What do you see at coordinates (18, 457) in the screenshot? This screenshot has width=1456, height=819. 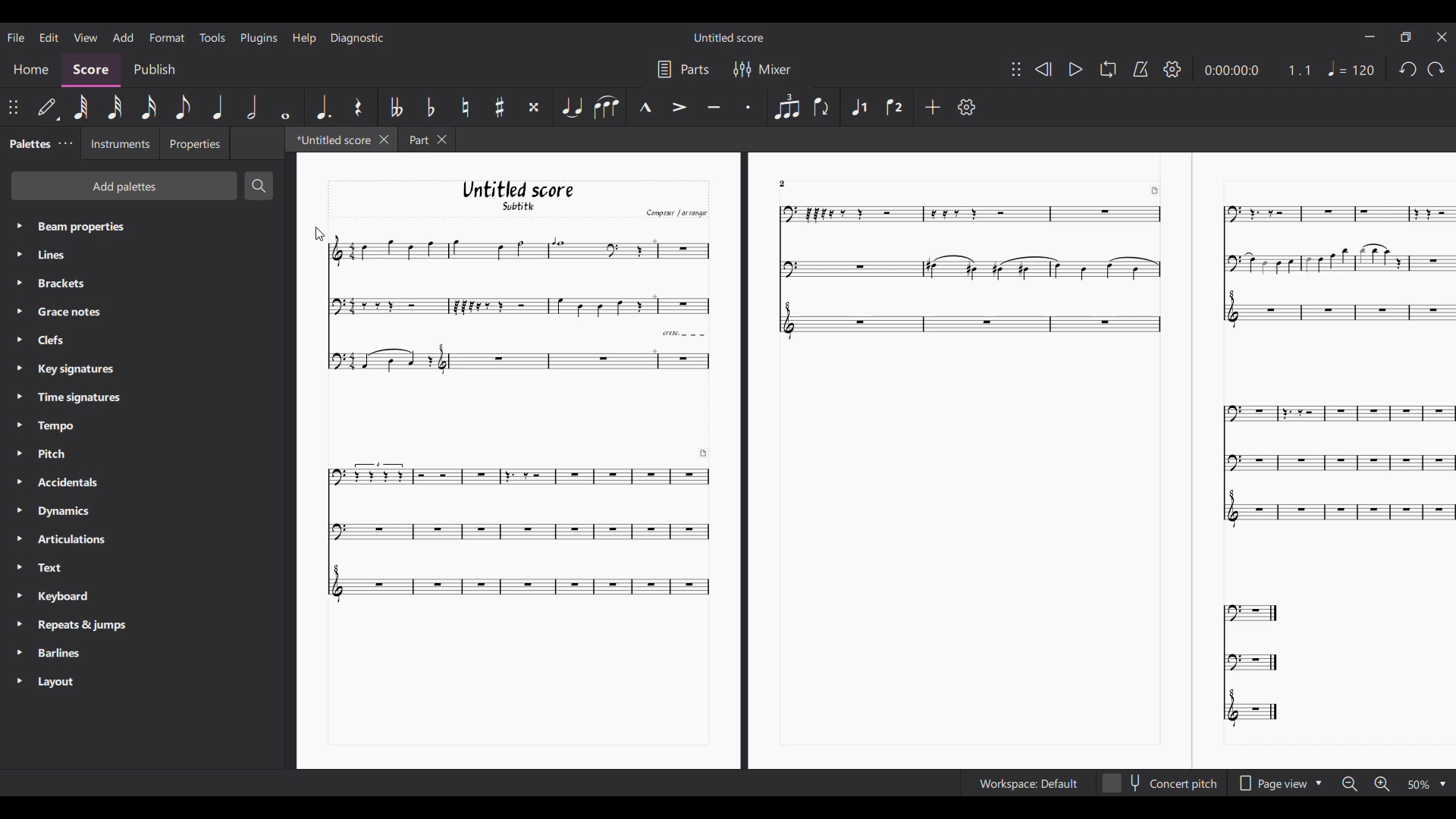 I see `` at bounding box center [18, 457].